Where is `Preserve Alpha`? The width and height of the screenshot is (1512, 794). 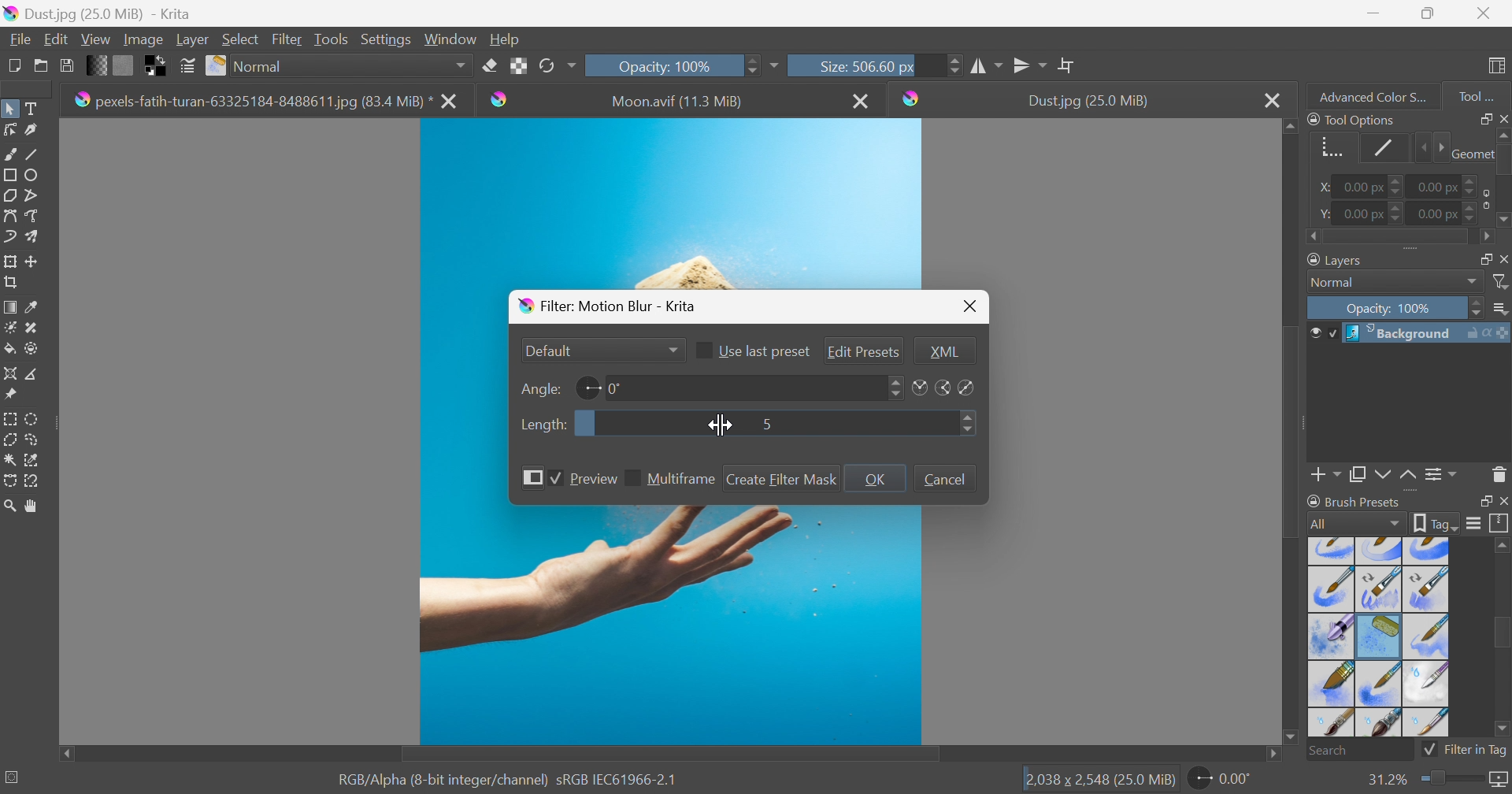
Preserve Alpha is located at coordinates (519, 65).